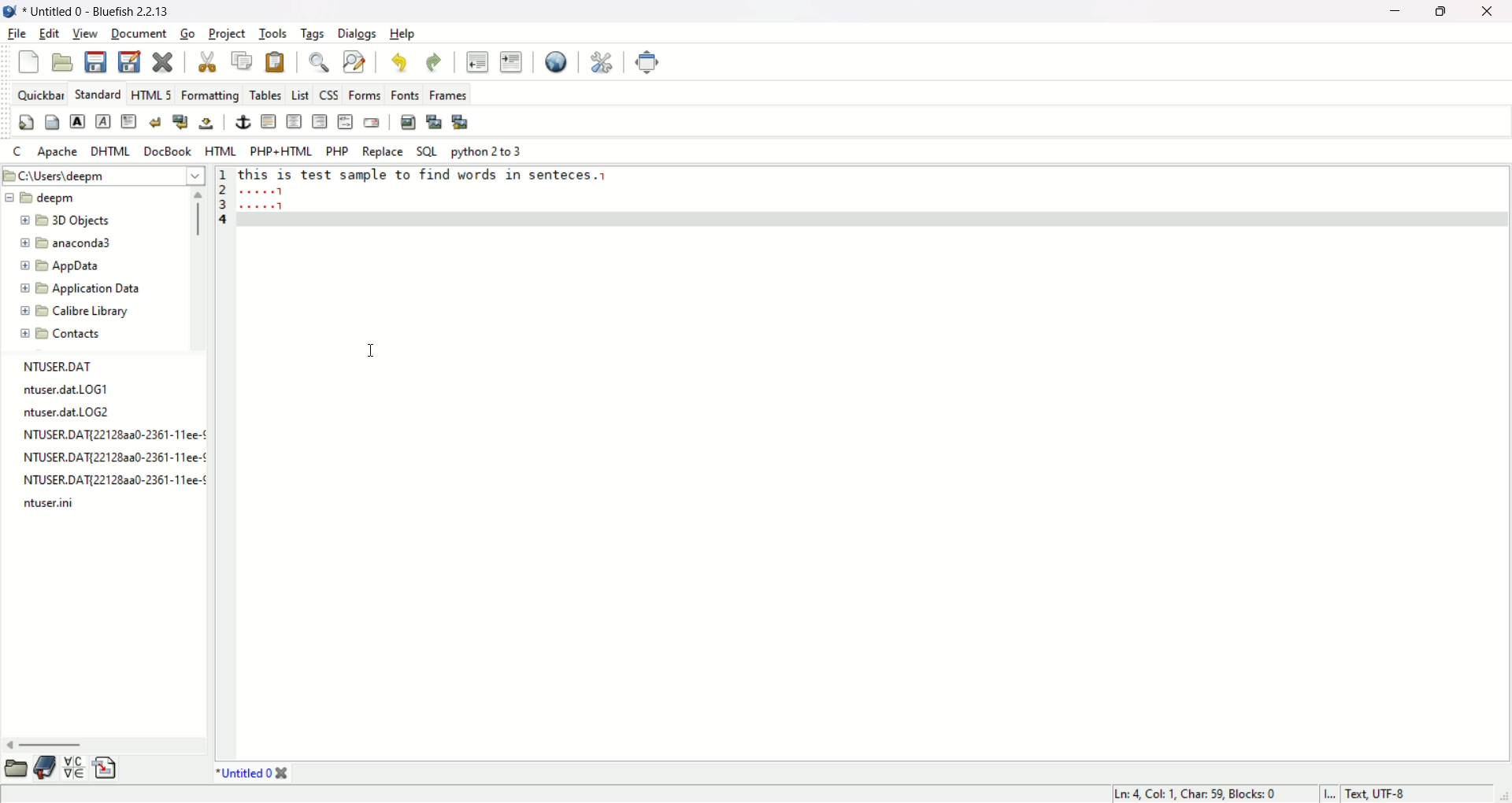 The height and width of the screenshot is (803, 1512). I want to click on fonts, so click(404, 94).